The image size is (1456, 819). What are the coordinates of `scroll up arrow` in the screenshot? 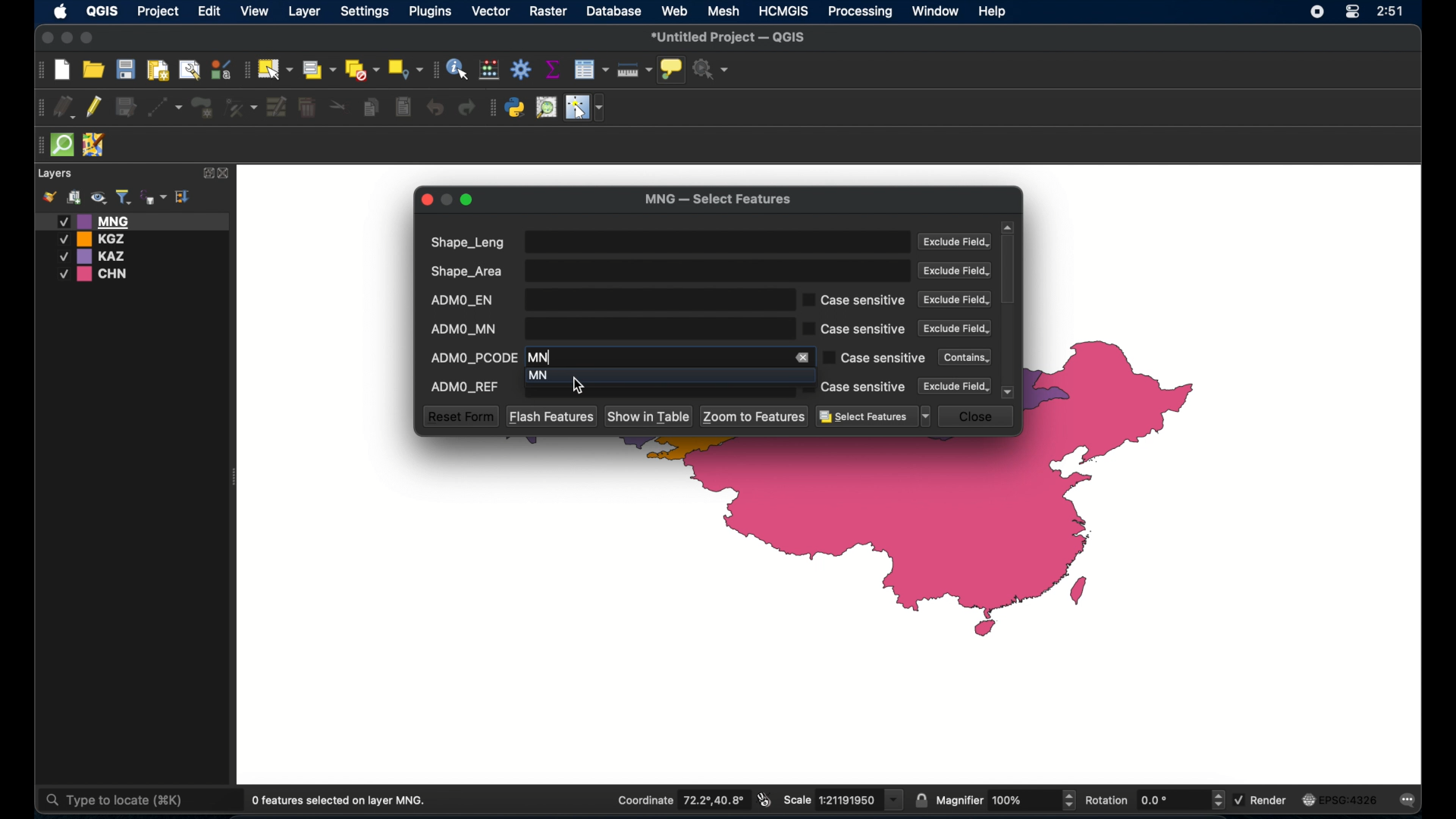 It's located at (1008, 227).